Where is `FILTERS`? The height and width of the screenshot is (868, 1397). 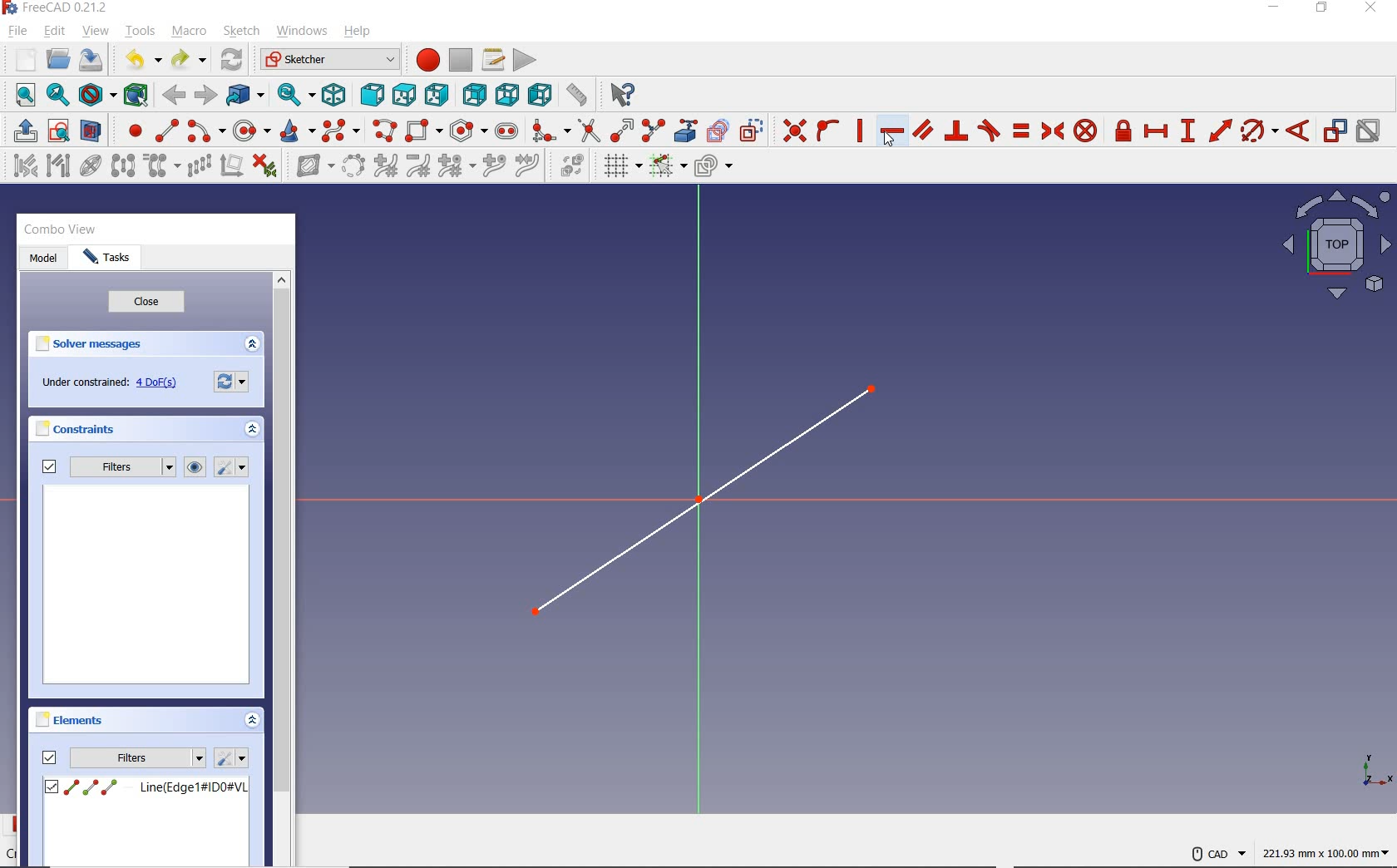 FILTERS is located at coordinates (138, 757).